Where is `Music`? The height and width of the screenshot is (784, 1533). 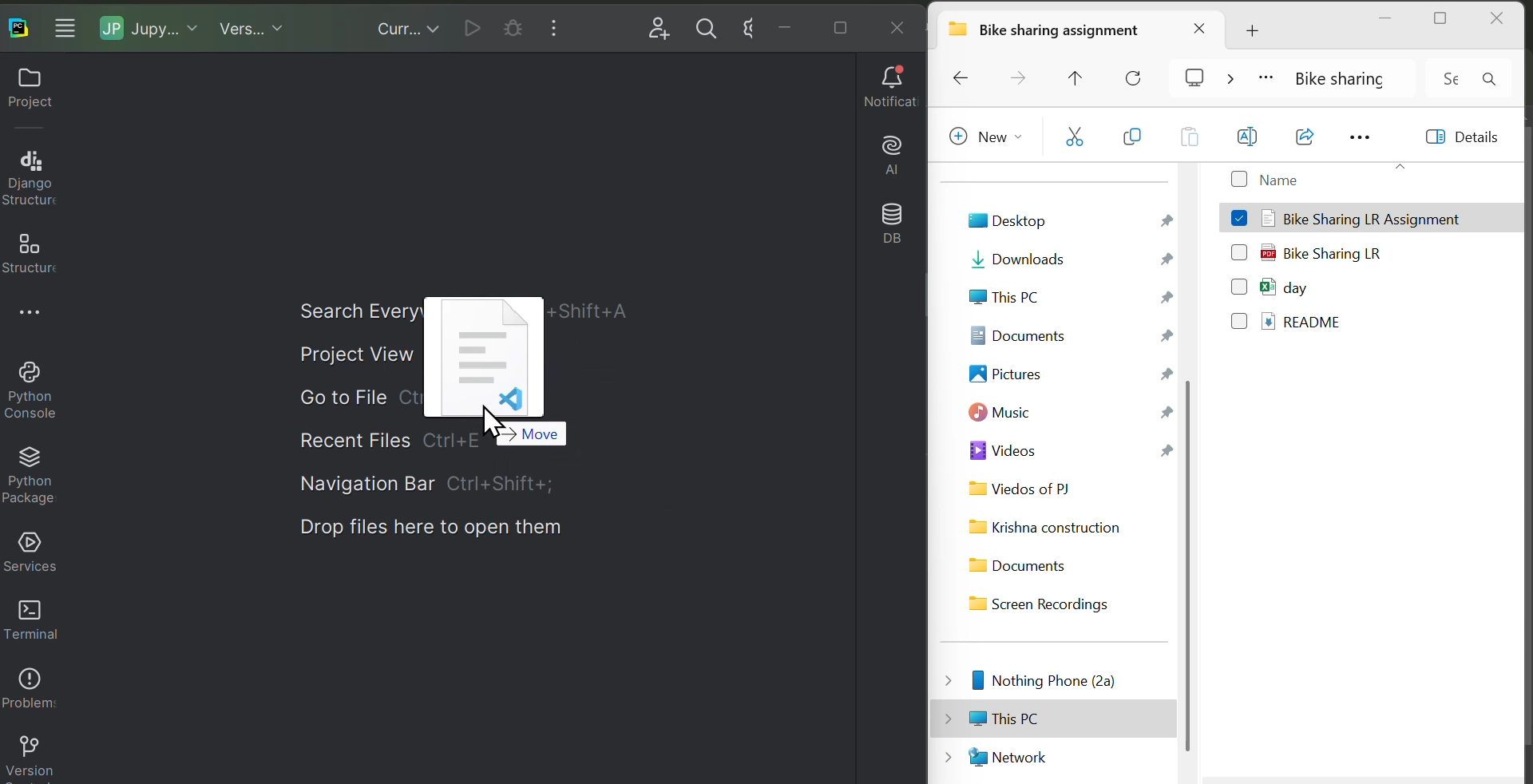 Music is located at coordinates (1069, 412).